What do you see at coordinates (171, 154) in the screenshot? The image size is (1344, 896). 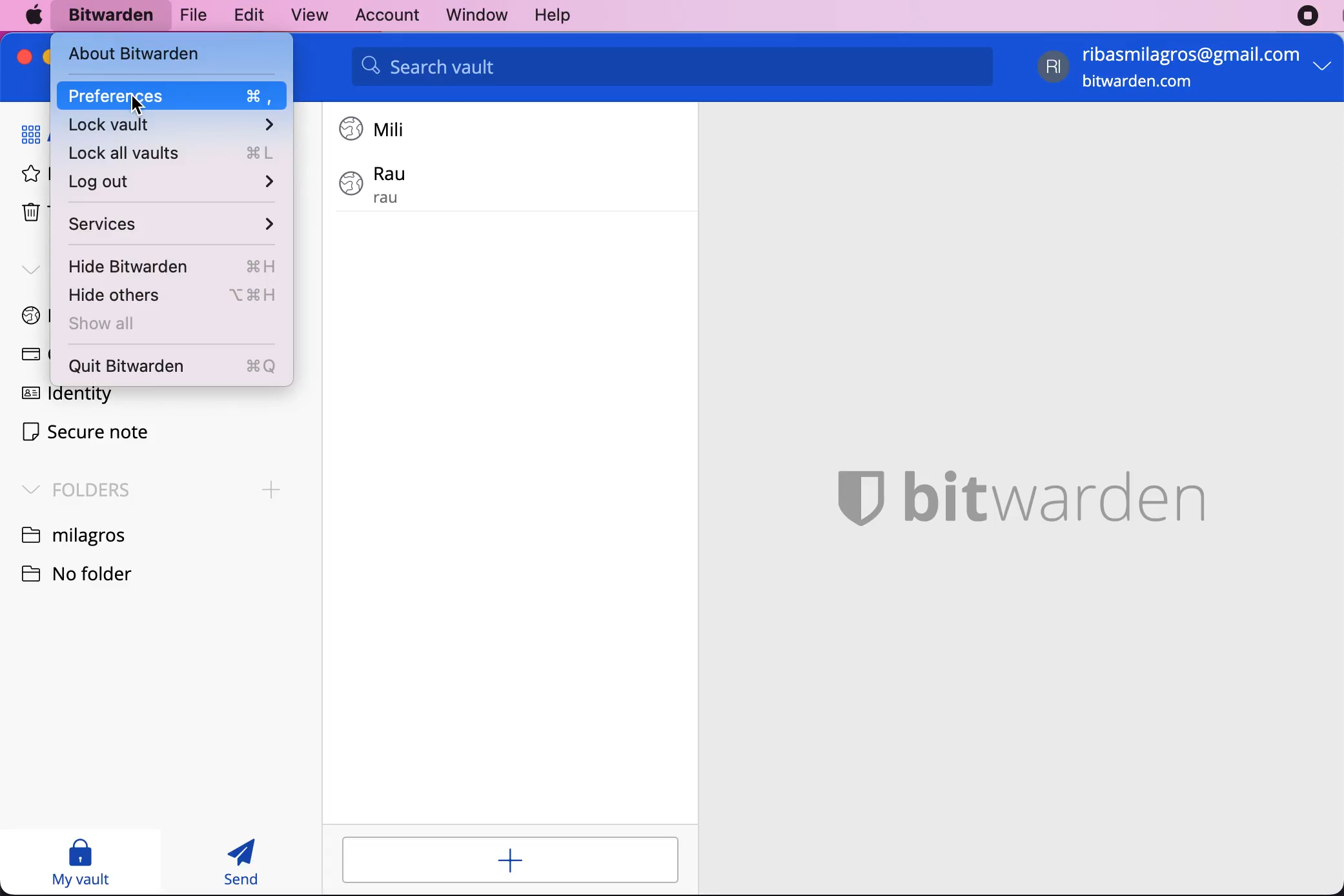 I see `lock all vaults` at bounding box center [171, 154].